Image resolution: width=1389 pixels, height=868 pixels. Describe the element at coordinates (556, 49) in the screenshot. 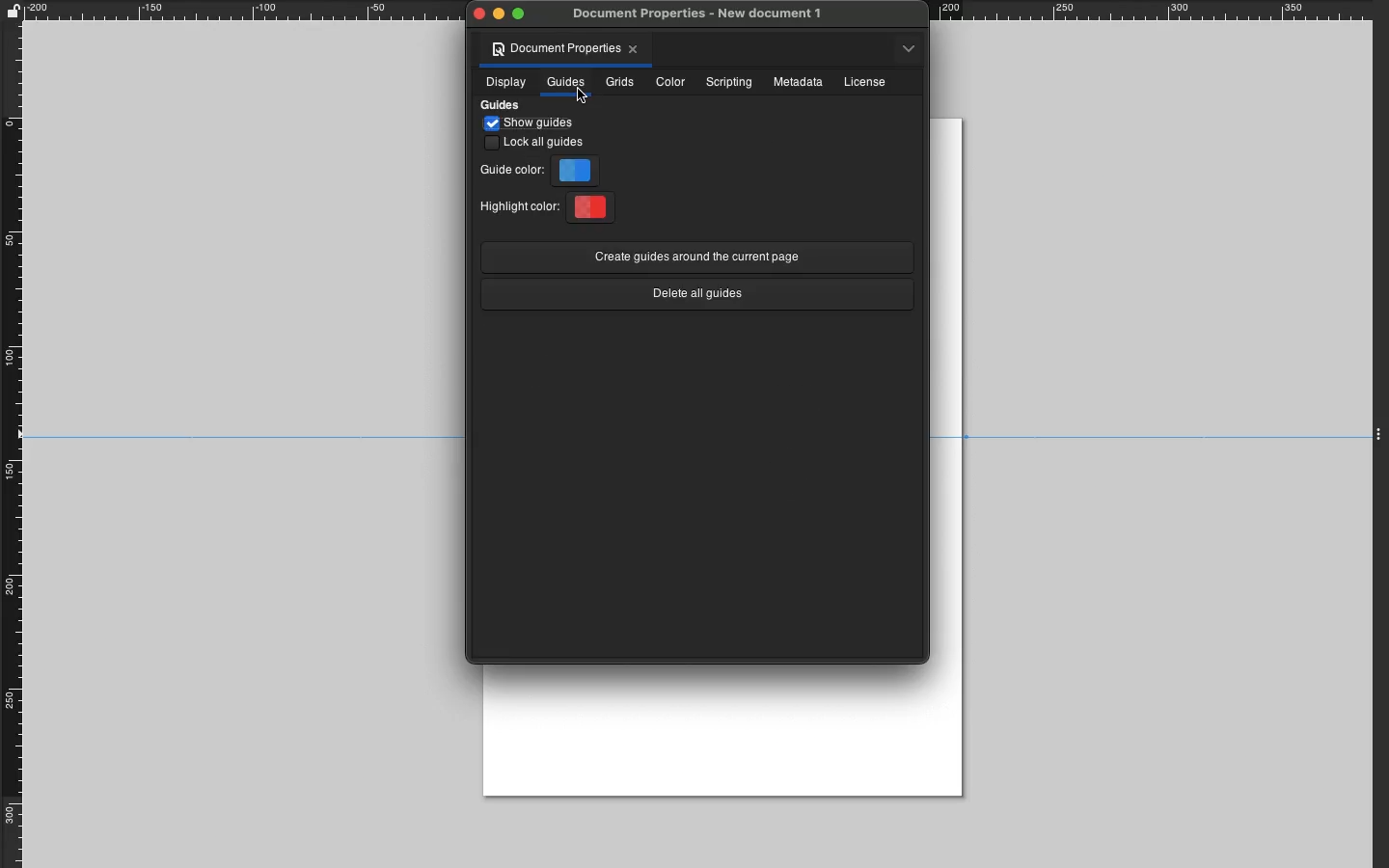

I see `Document properties` at that location.